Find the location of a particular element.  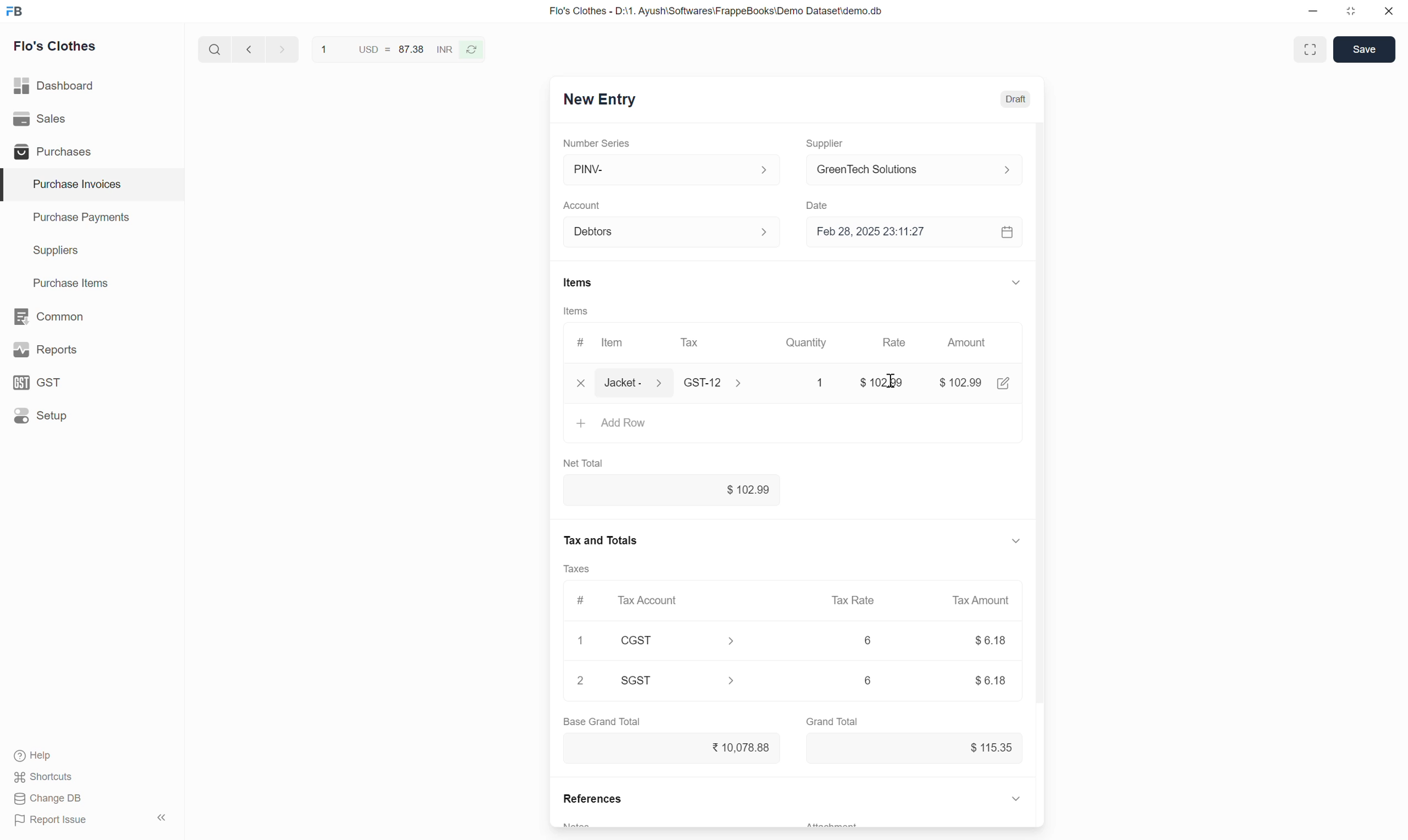

References is located at coordinates (592, 798).